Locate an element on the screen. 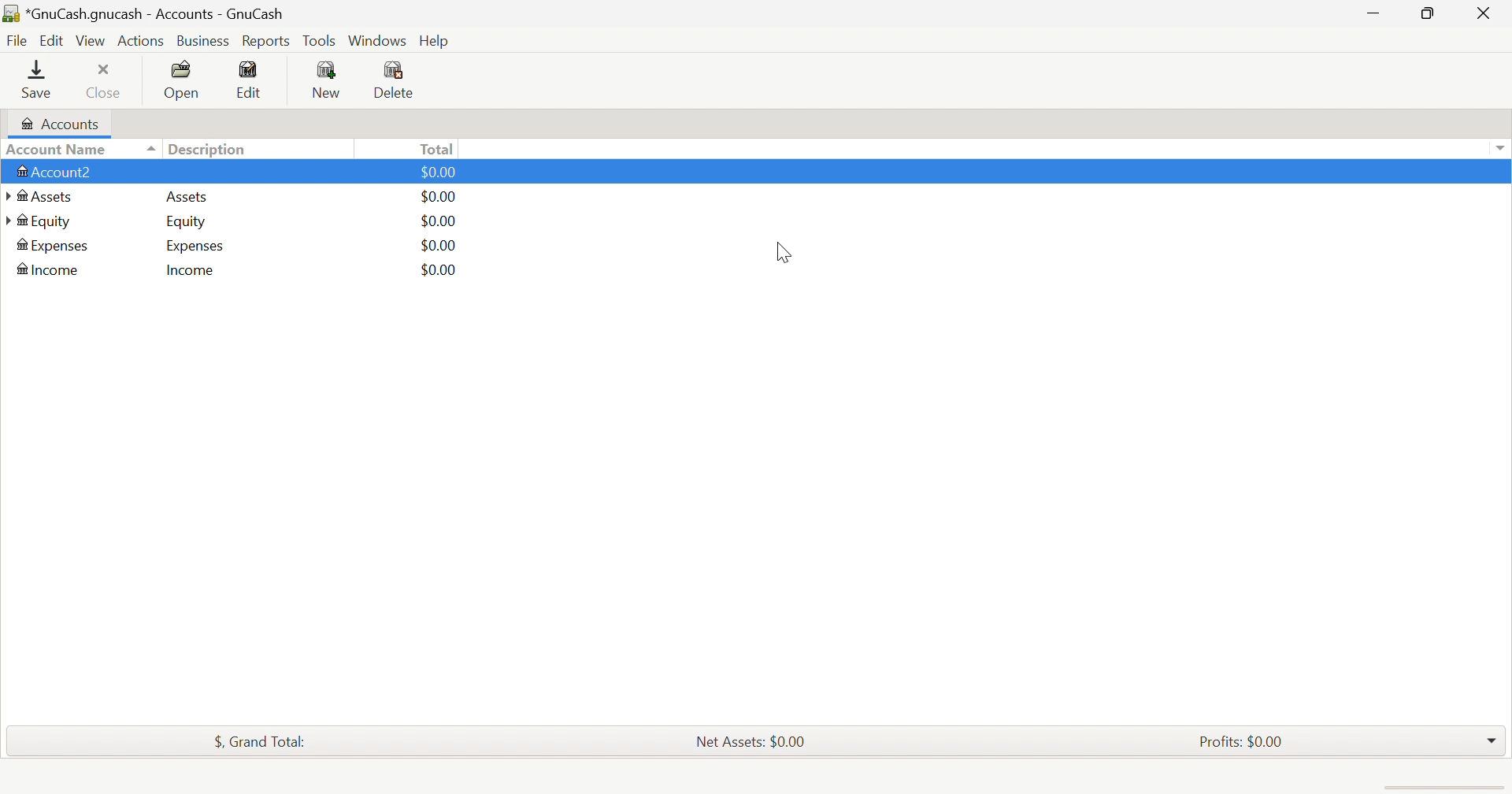 This screenshot has height=794, width=1512. $, Grand Total: is located at coordinates (259, 742).